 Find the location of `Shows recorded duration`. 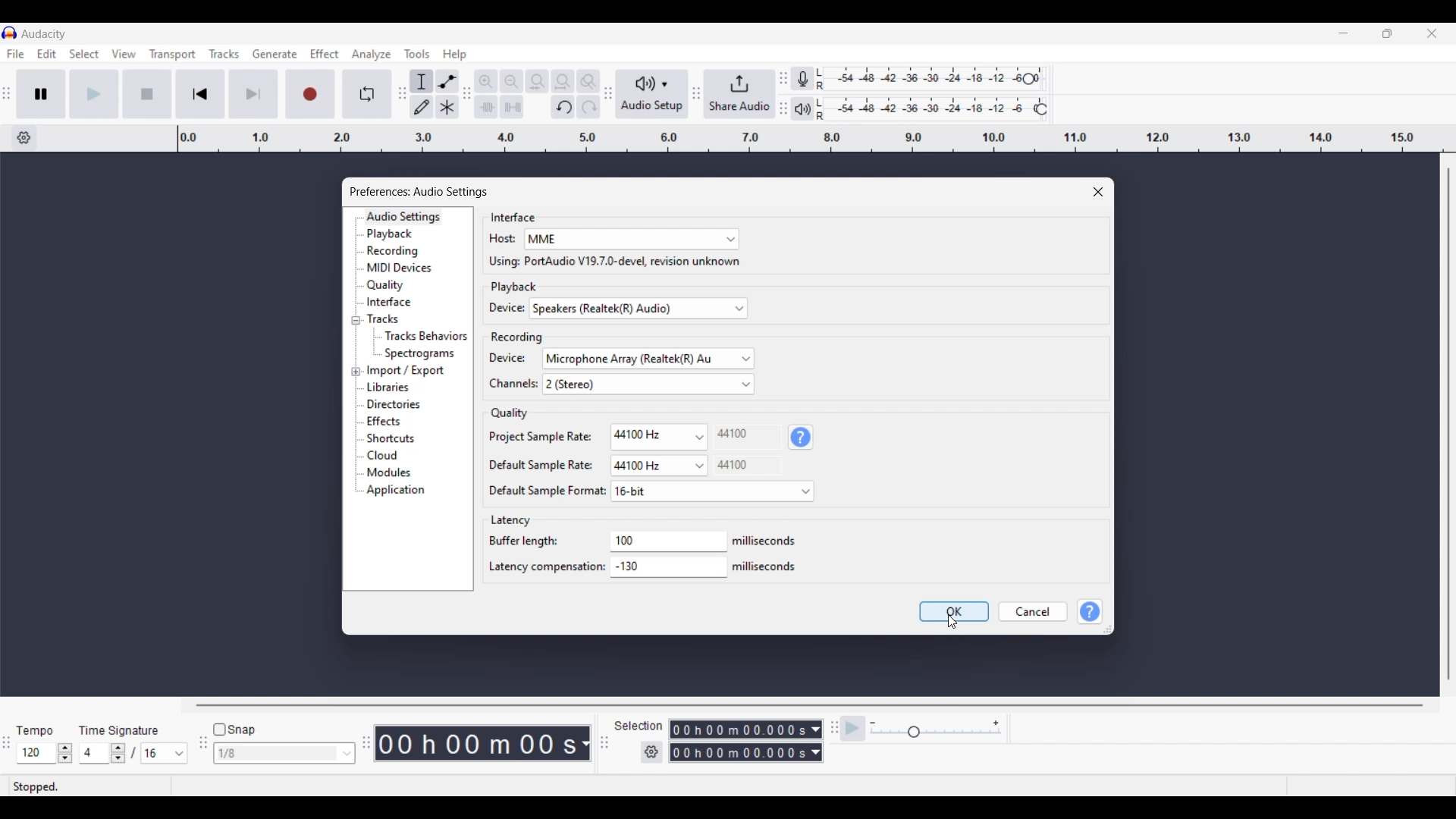

Shows recorded duration is located at coordinates (476, 743).